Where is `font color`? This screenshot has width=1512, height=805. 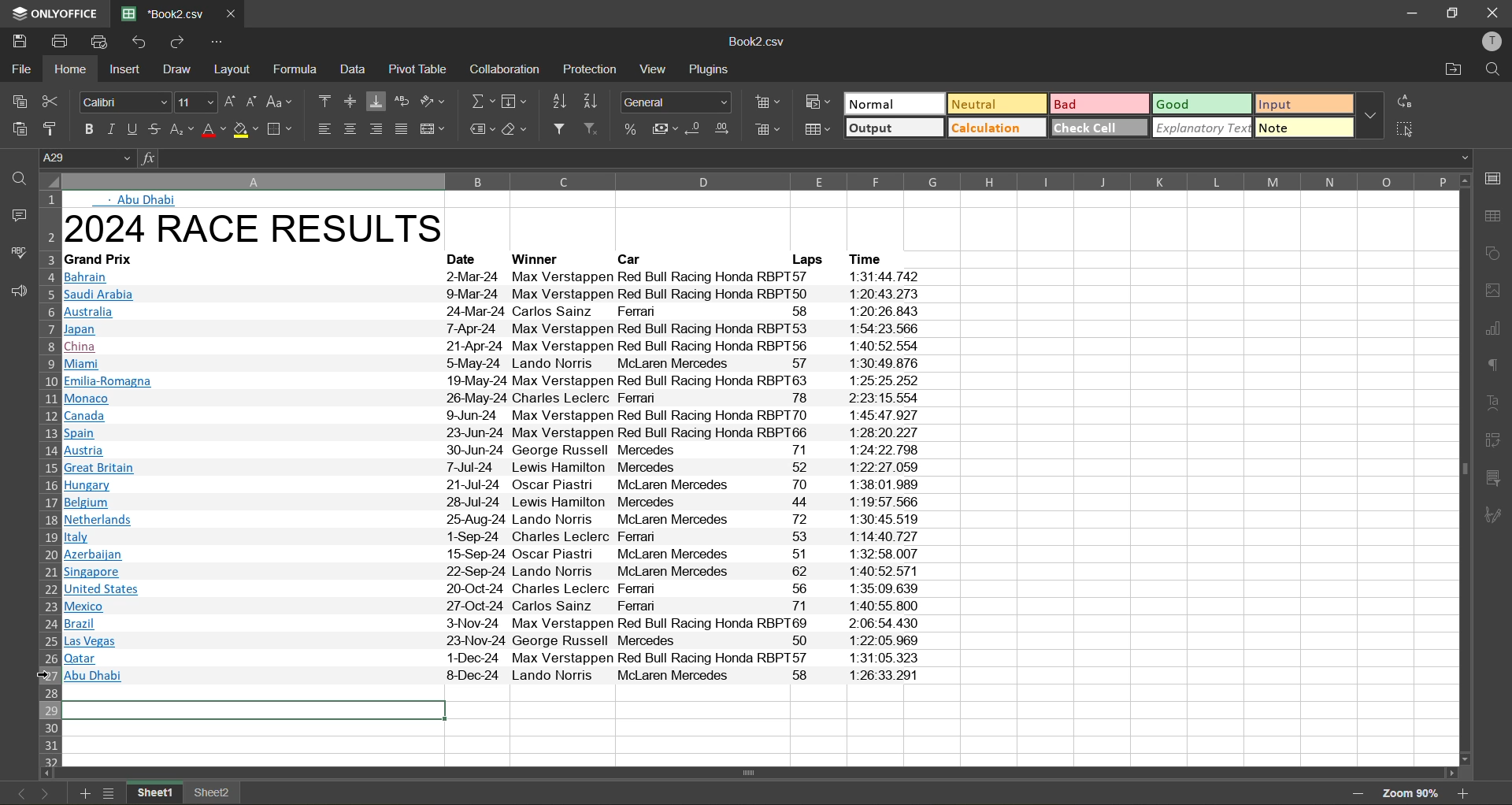 font color is located at coordinates (212, 129).